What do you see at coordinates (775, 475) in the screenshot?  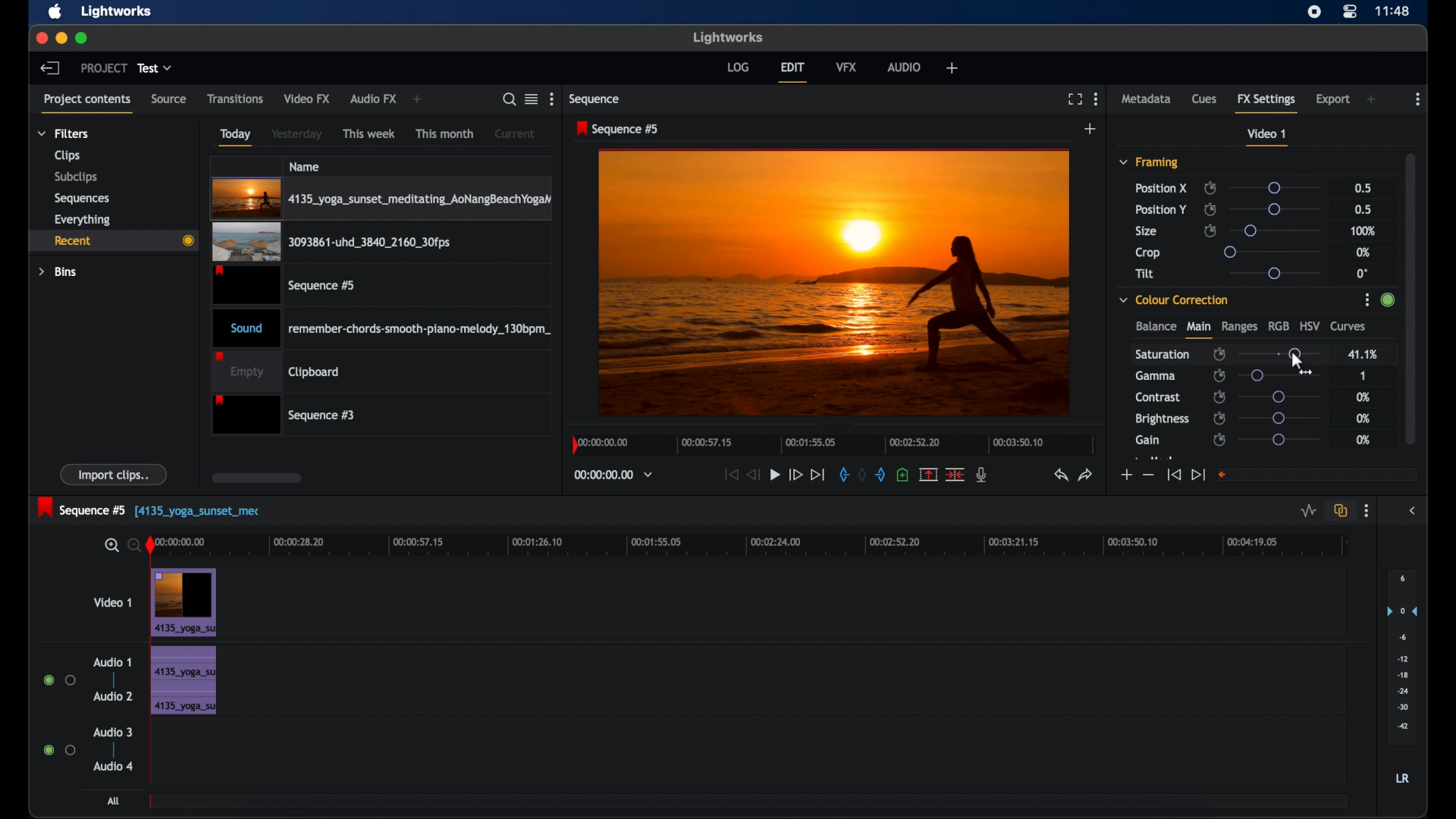 I see `play ` at bounding box center [775, 475].